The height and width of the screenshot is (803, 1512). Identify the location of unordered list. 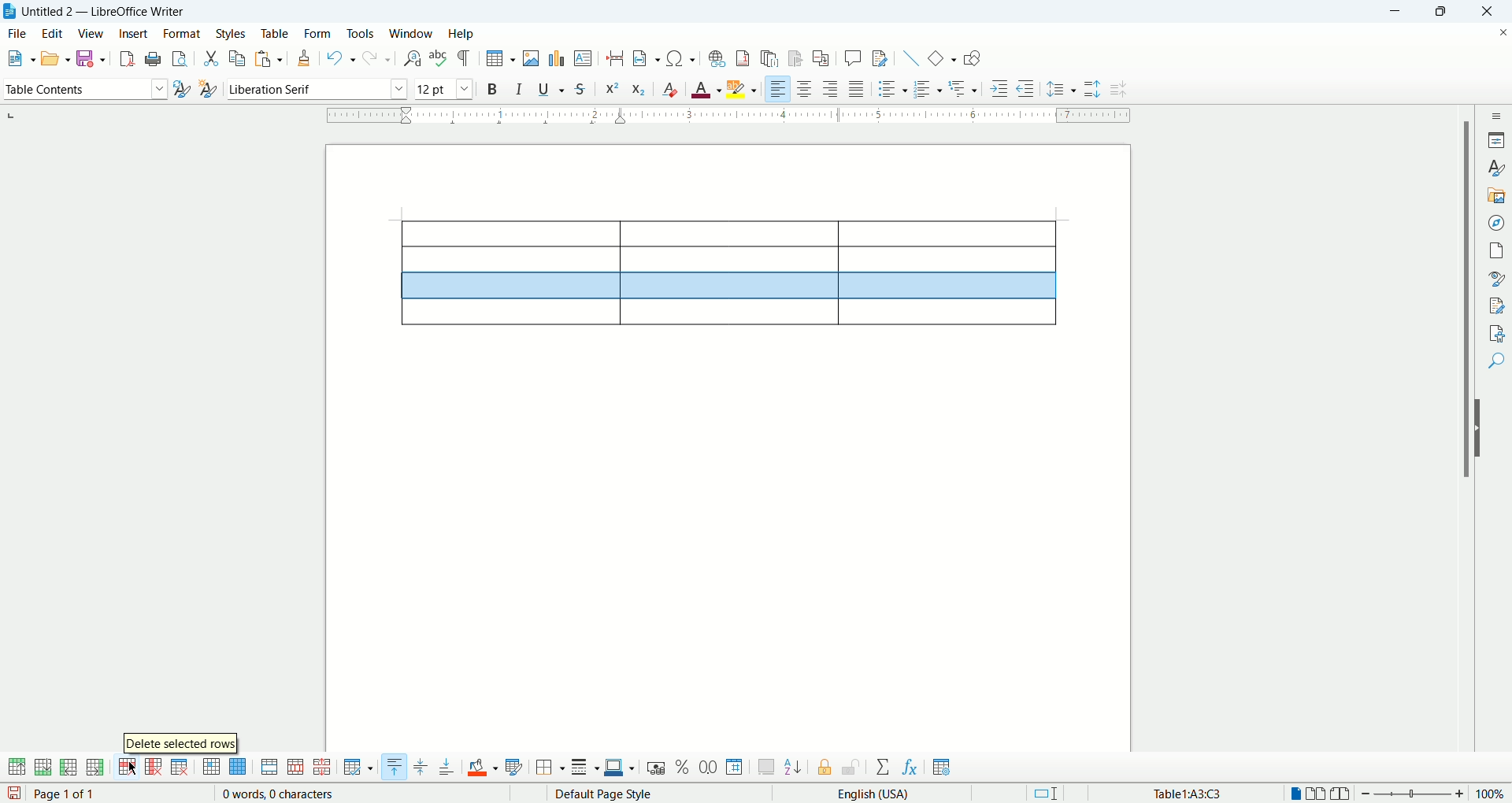
(892, 90).